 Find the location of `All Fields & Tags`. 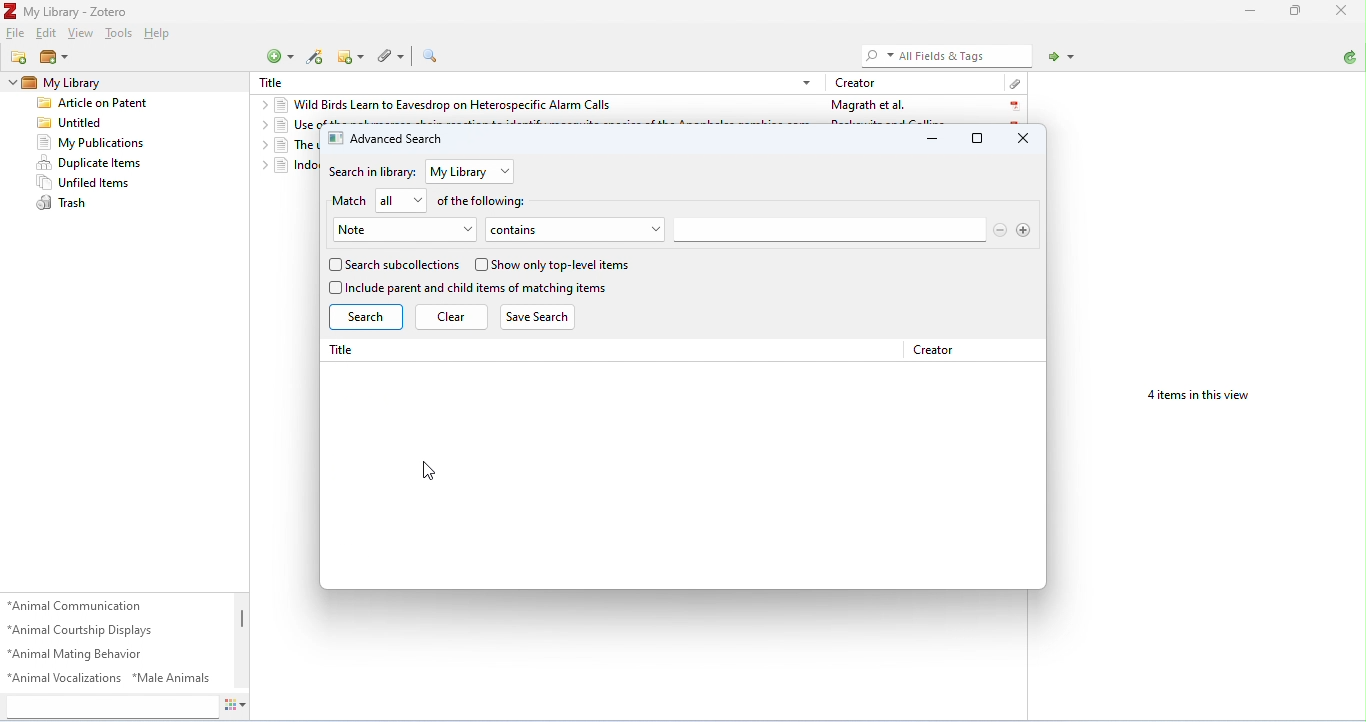

All Fields & Tags is located at coordinates (939, 55).